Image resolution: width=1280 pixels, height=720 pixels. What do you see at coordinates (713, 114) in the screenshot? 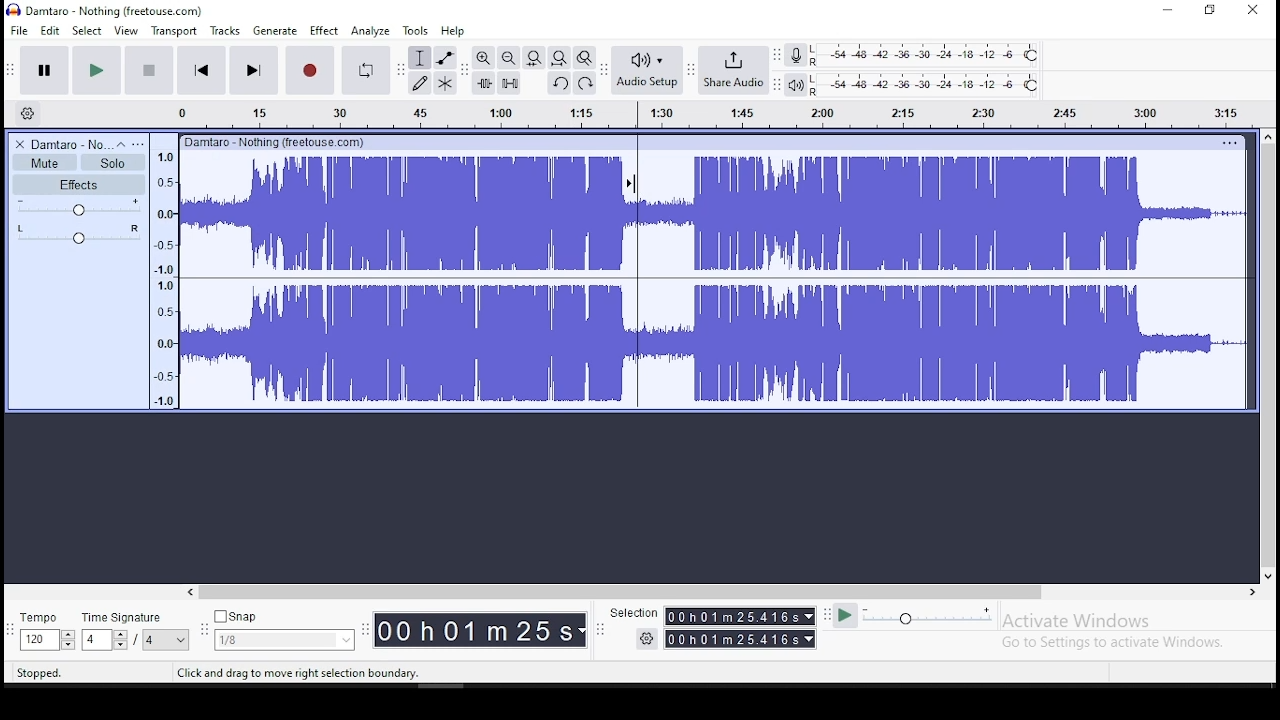
I see `timeline` at bounding box center [713, 114].